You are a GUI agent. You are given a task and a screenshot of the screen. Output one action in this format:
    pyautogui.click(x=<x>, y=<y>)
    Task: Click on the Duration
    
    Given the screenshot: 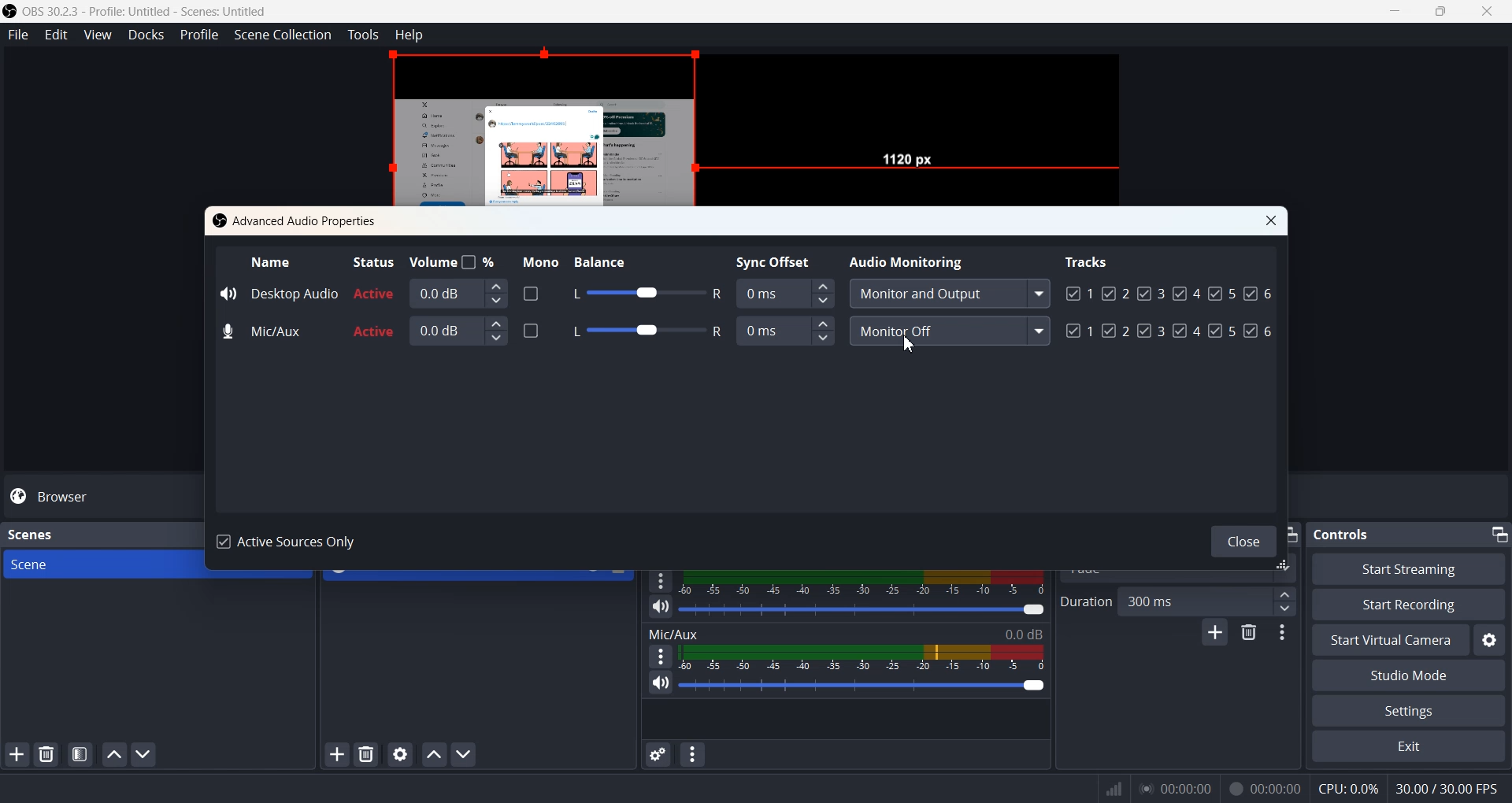 What is the action you would take?
    pyautogui.click(x=1085, y=601)
    